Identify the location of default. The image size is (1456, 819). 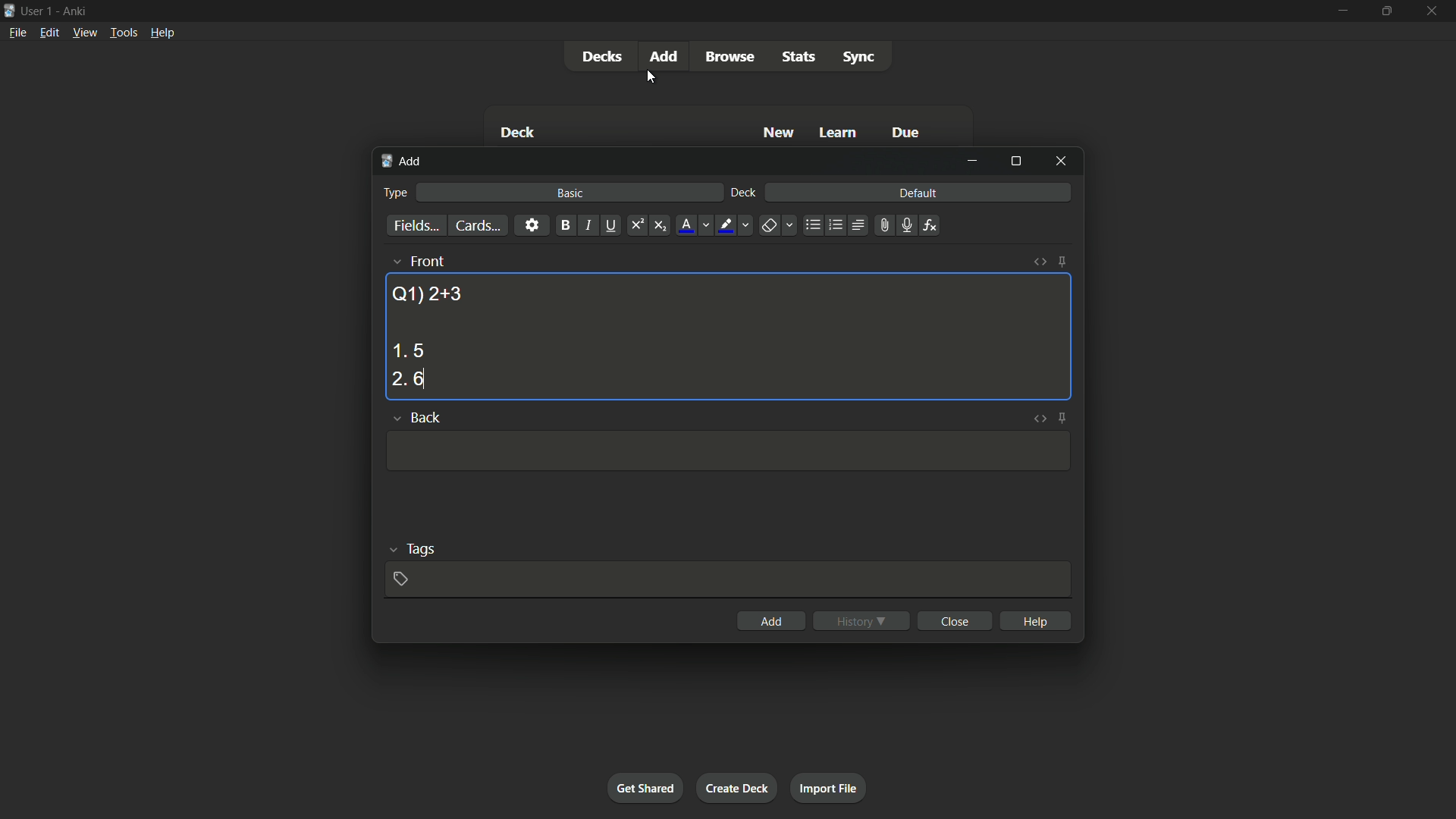
(918, 192).